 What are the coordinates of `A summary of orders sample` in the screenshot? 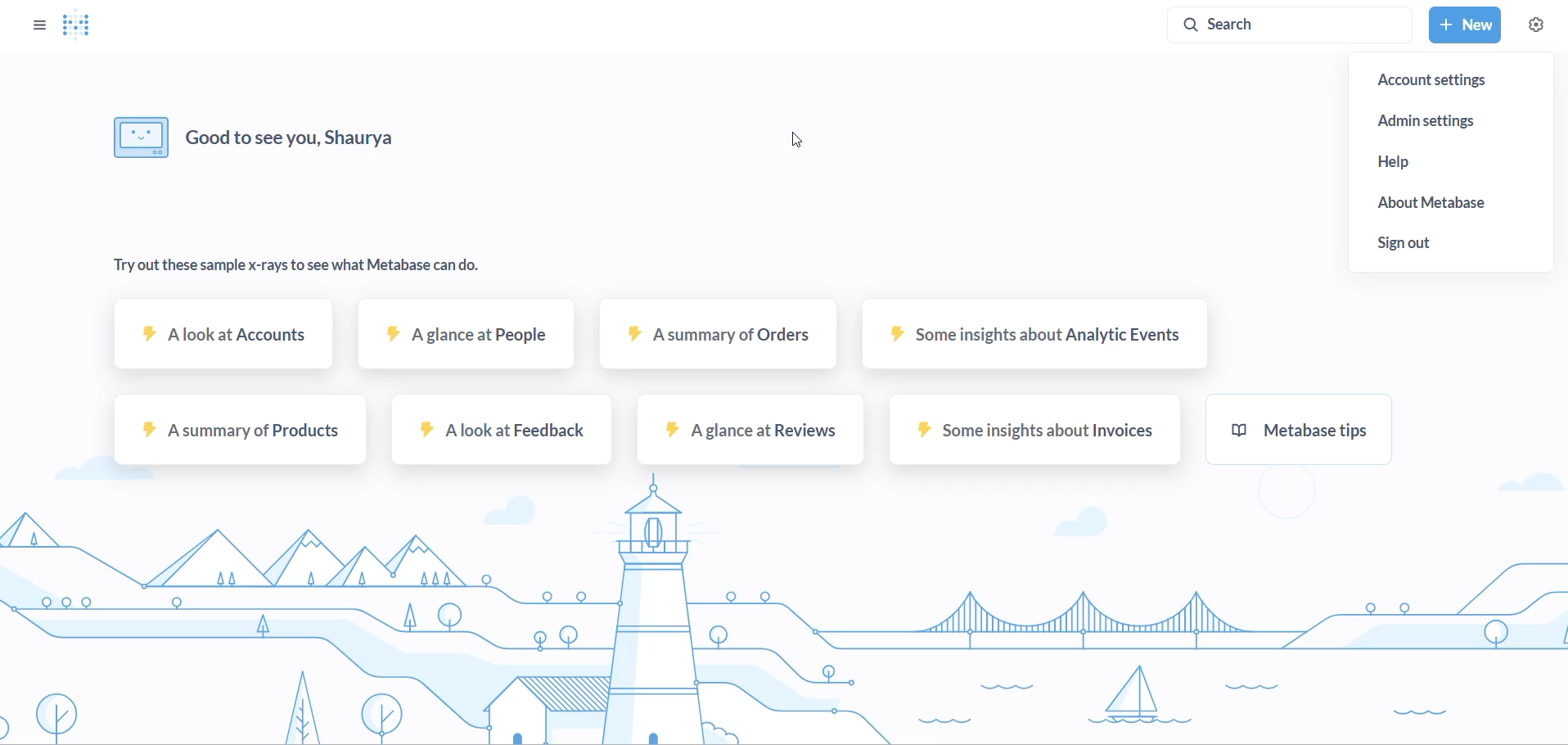 It's located at (715, 345).